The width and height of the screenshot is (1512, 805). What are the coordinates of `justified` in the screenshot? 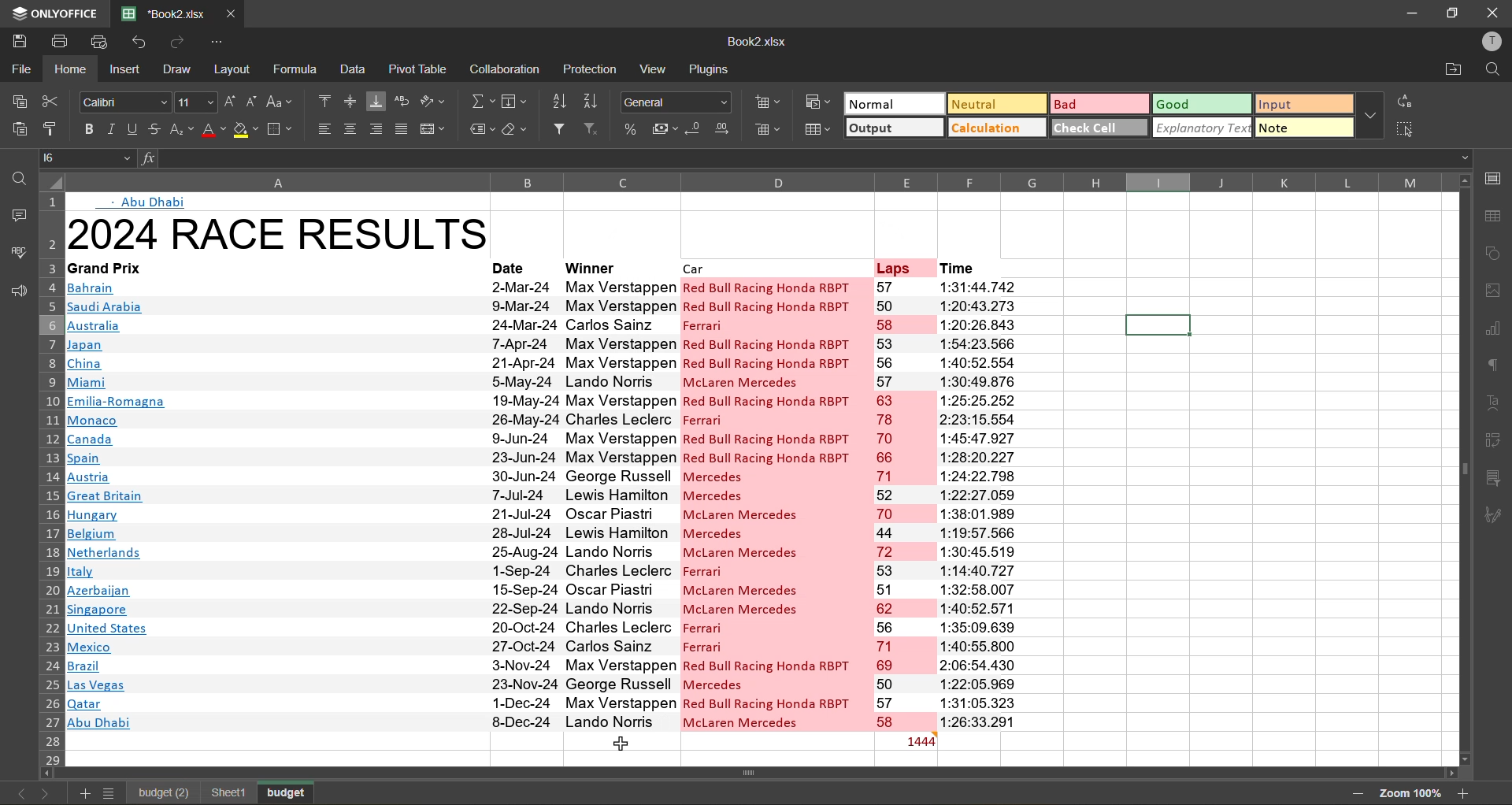 It's located at (403, 129).